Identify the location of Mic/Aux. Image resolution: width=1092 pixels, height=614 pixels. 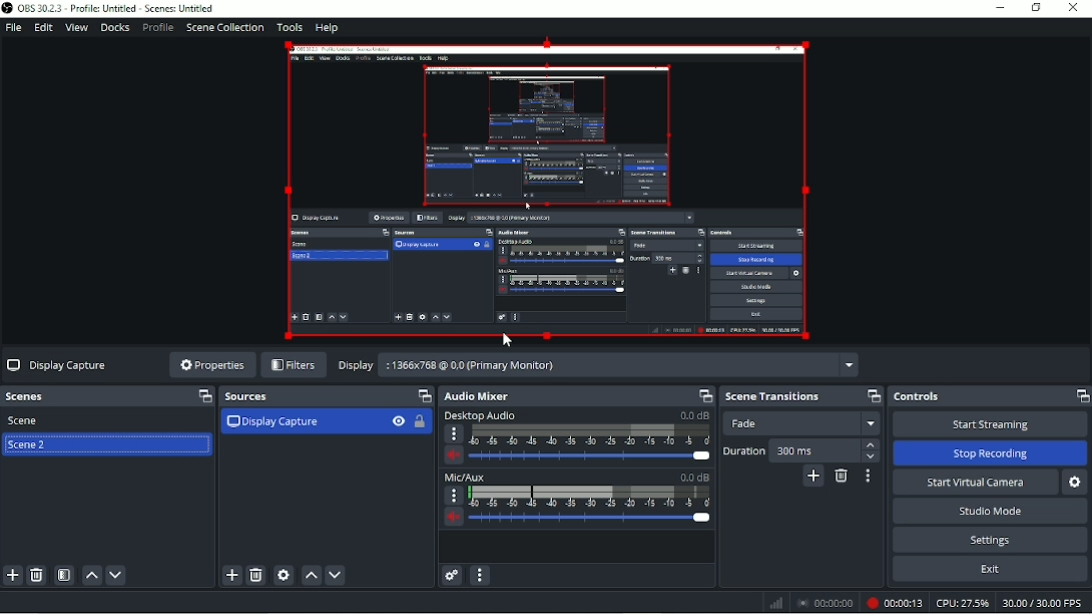
(466, 478).